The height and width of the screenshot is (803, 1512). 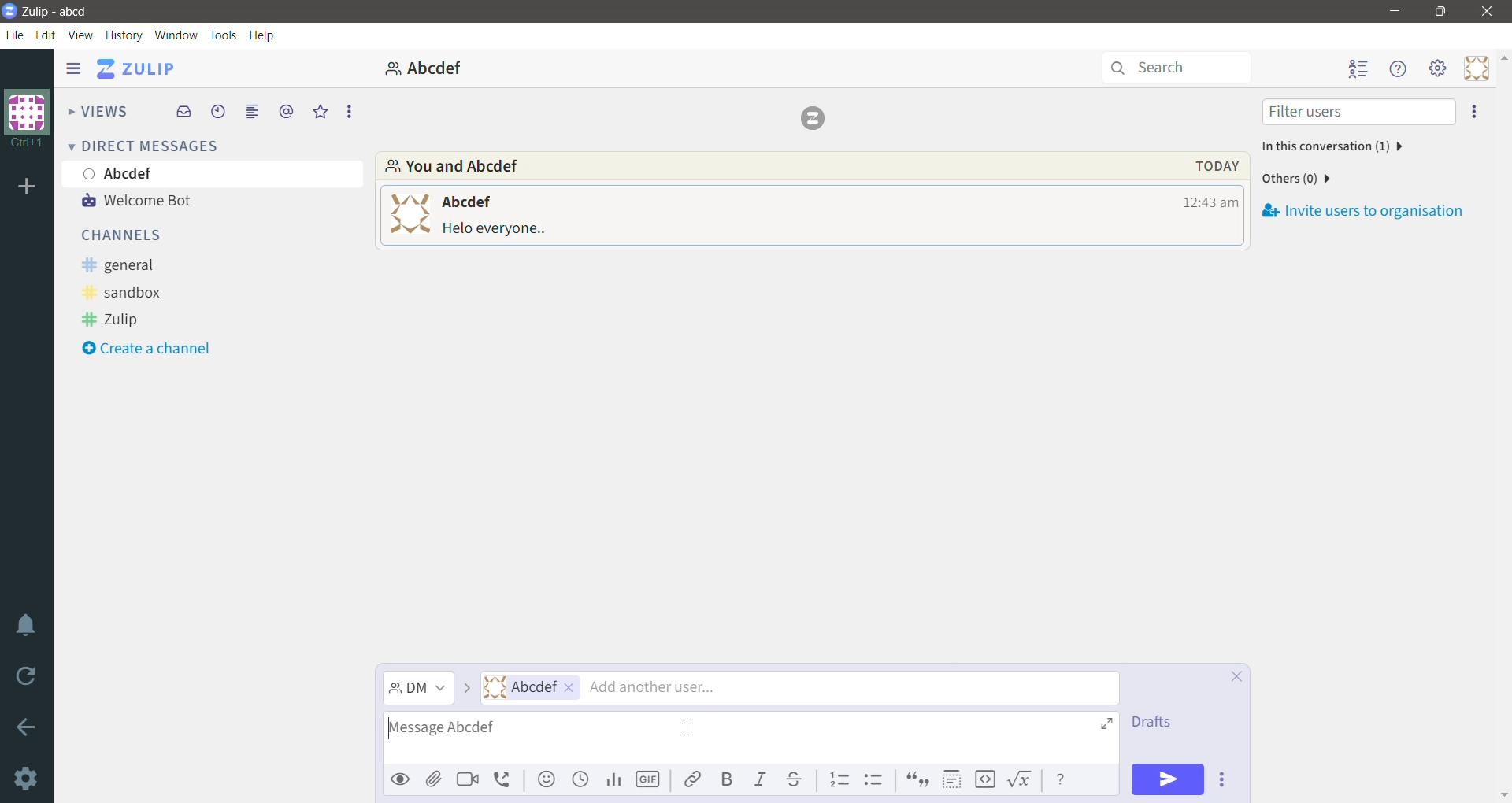 I want to click on Type the message for the selected recipients, so click(x=750, y=738).